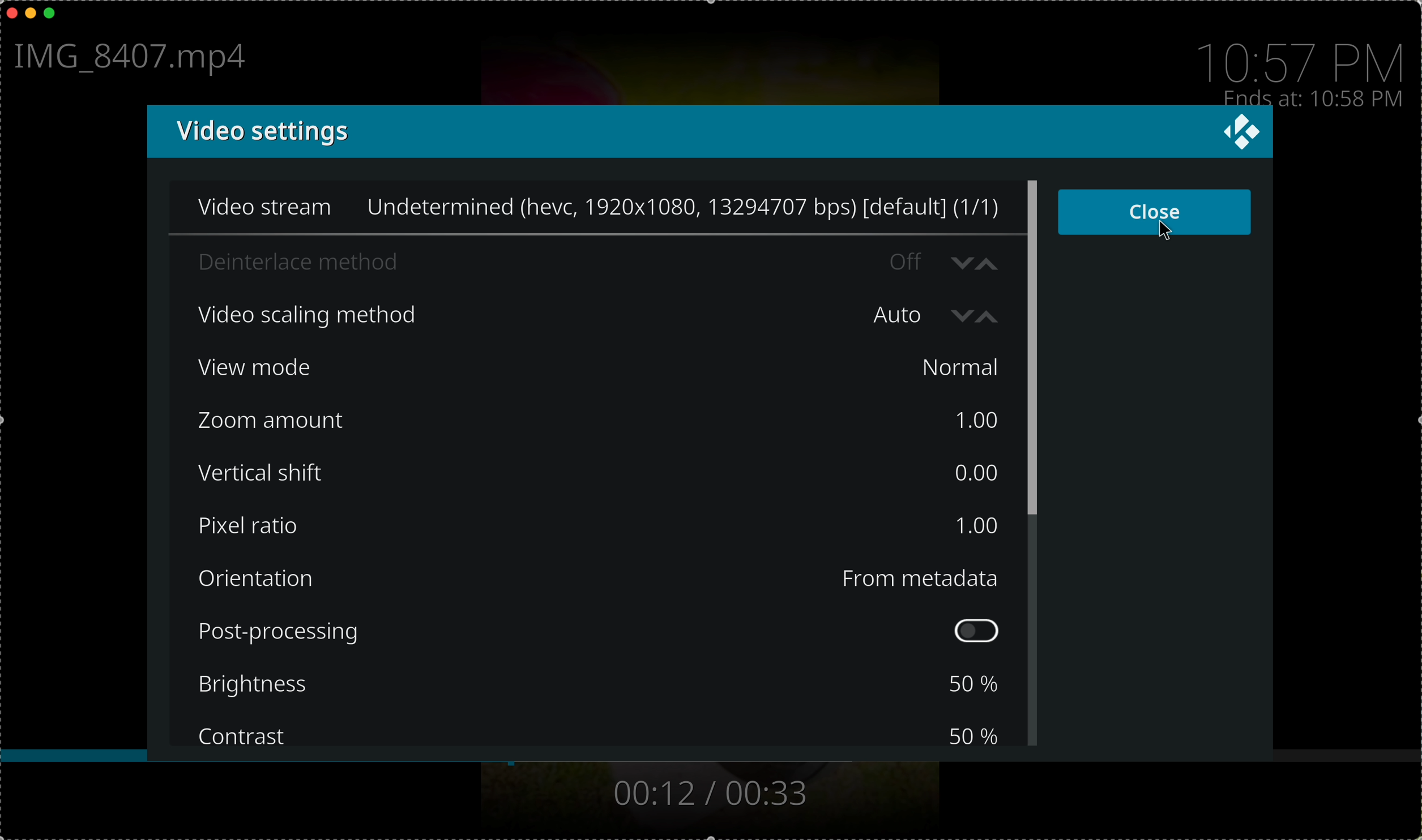  I want to click on orientation from metadata, so click(603, 577).